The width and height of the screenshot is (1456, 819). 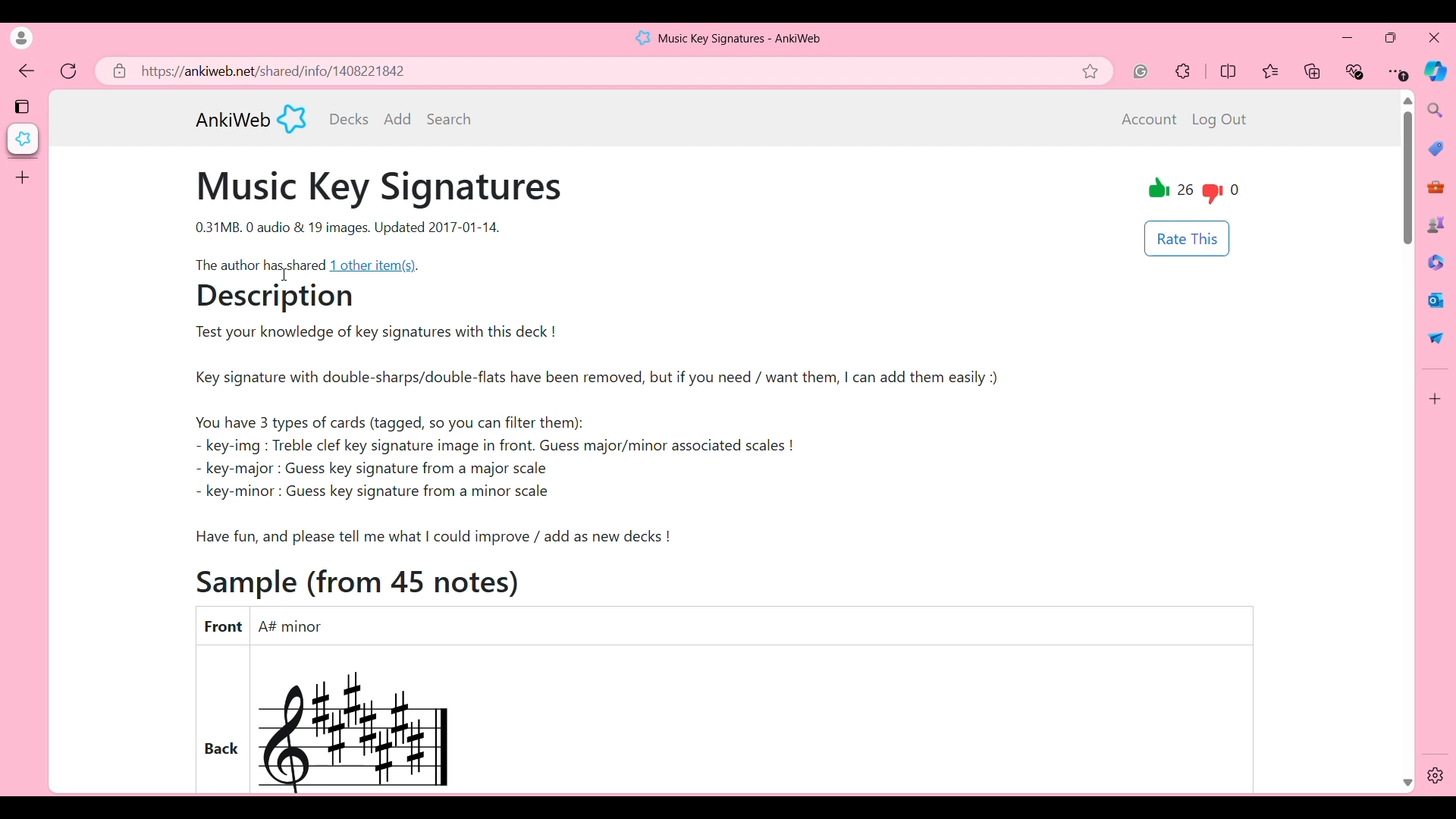 What do you see at coordinates (1398, 71) in the screenshot?
I see `Browser settings` at bounding box center [1398, 71].